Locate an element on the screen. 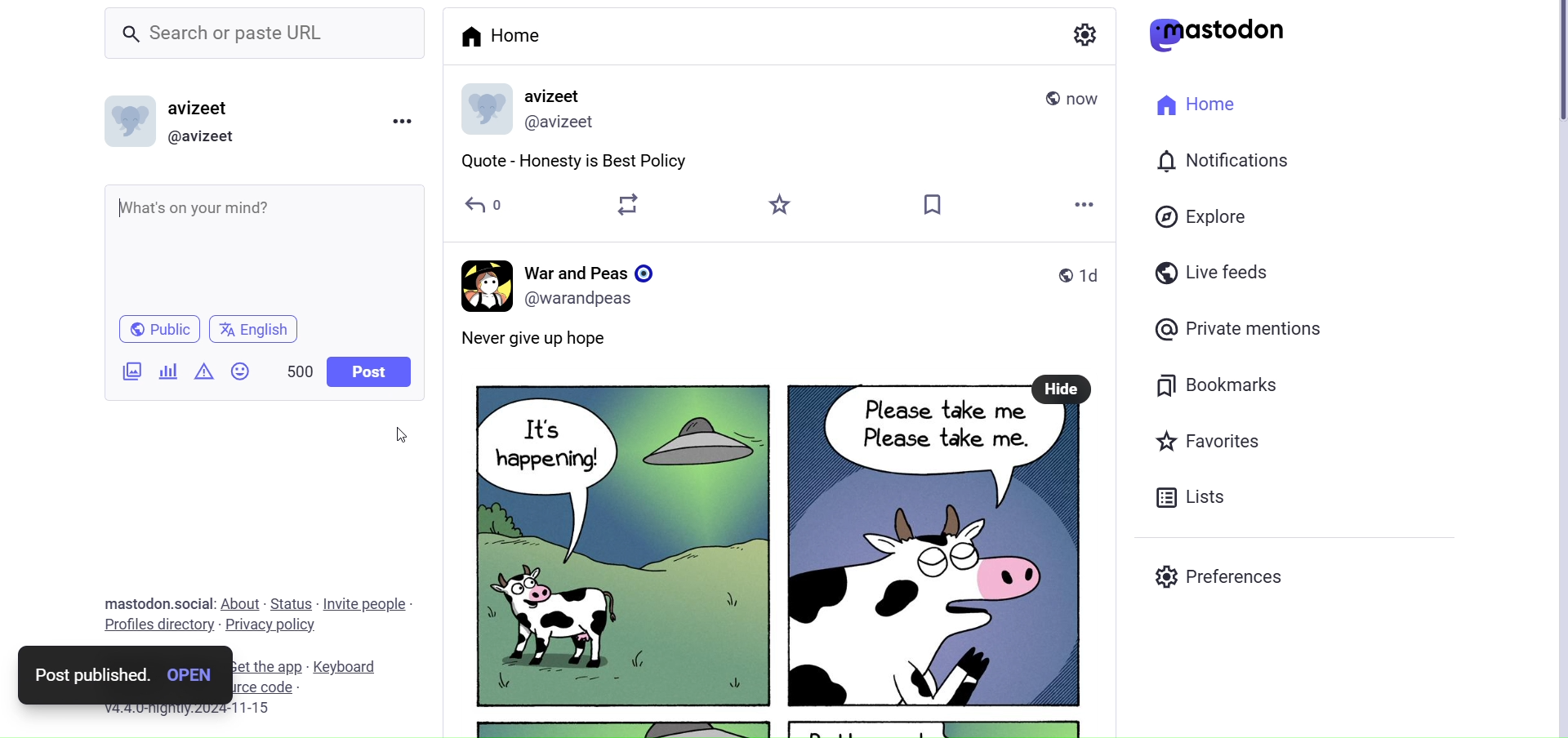 This screenshot has height=738, width=1568. keyboard is located at coordinates (351, 667).